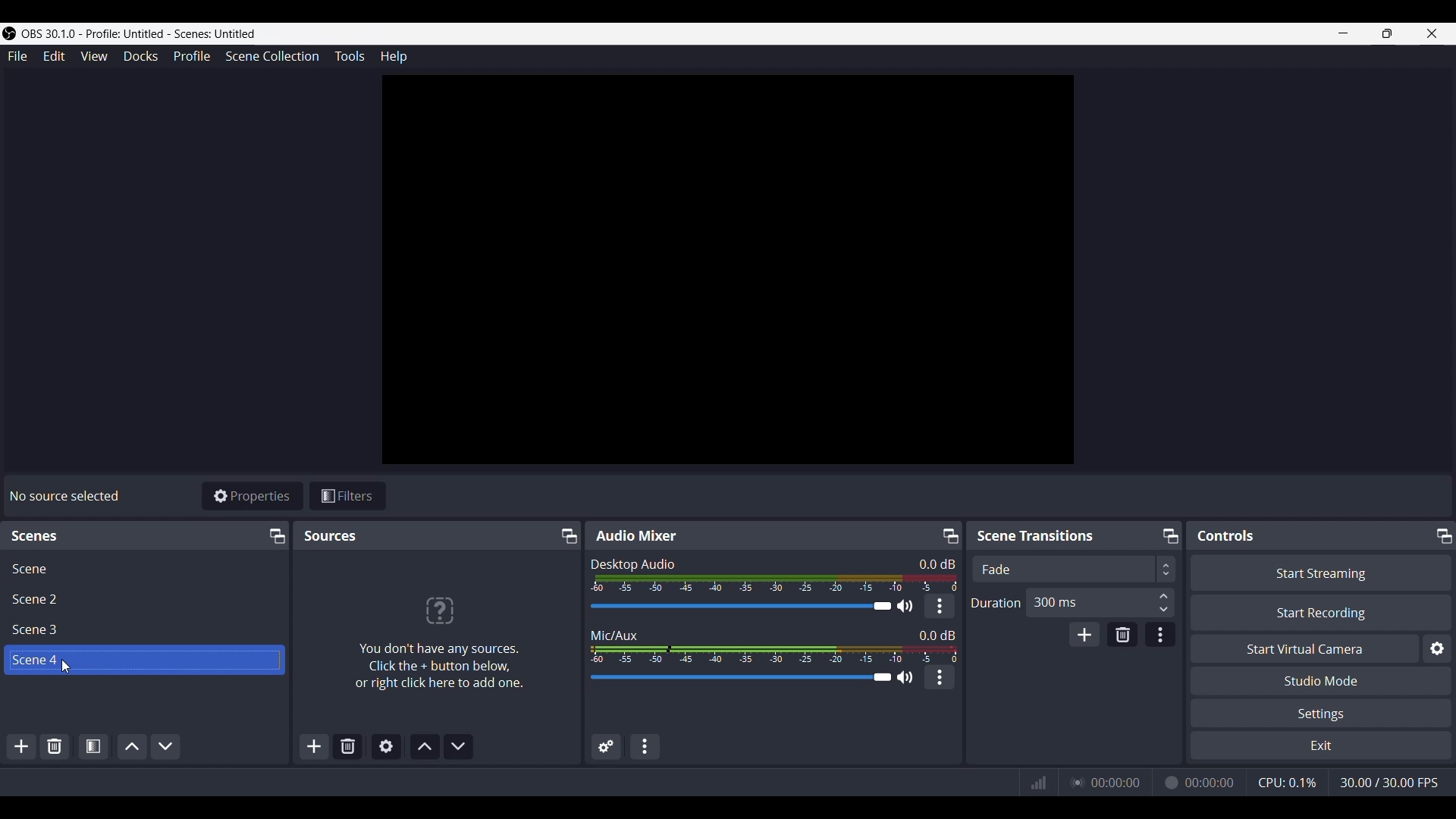 This screenshot has height=819, width=1456. Describe the element at coordinates (773, 654) in the screenshot. I see `Volume Meter` at that location.